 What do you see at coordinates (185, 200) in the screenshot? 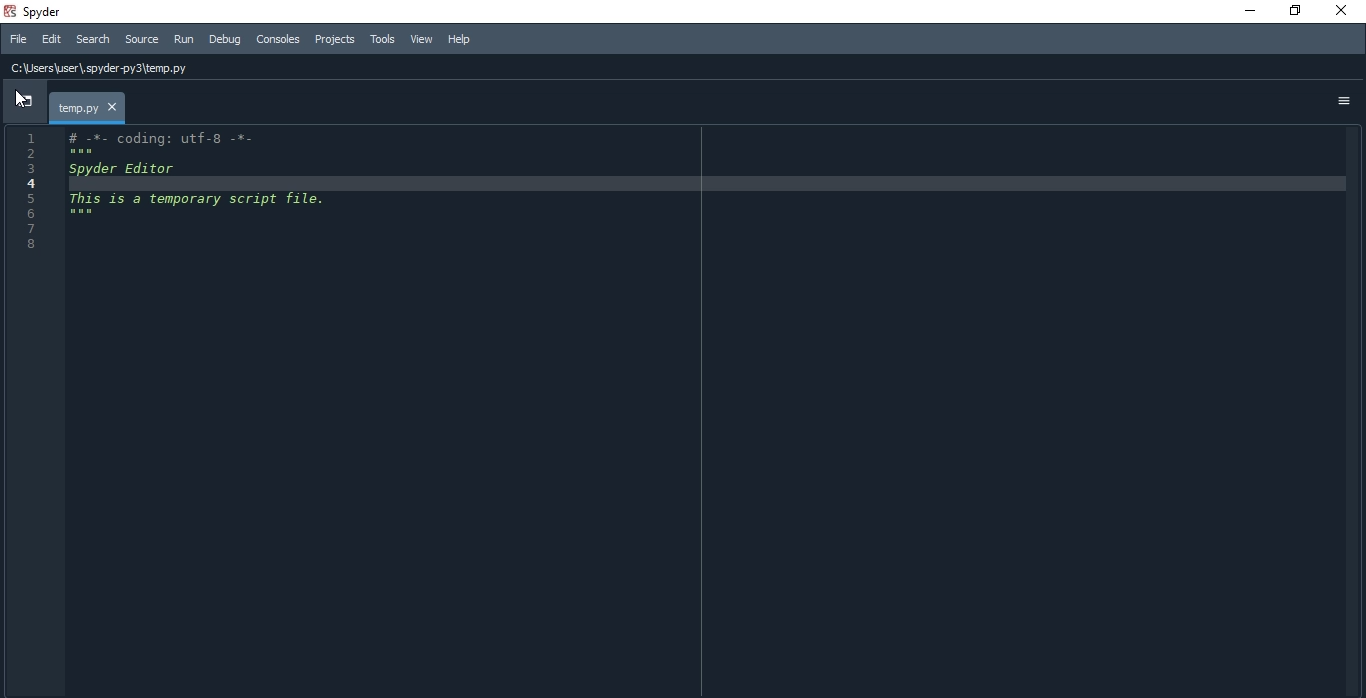
I see `5 This 1s a temporary script file.` at bounding box center [185, 200].